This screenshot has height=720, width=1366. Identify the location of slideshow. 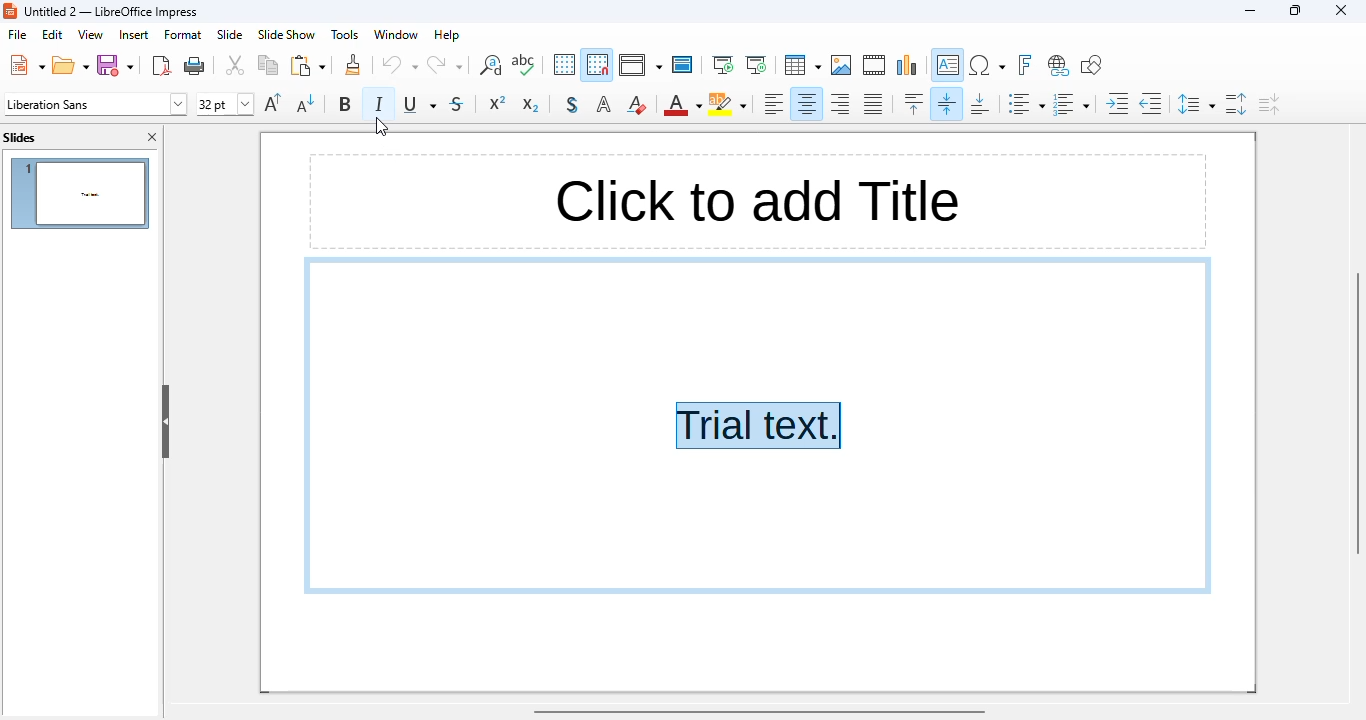
(287, 35).